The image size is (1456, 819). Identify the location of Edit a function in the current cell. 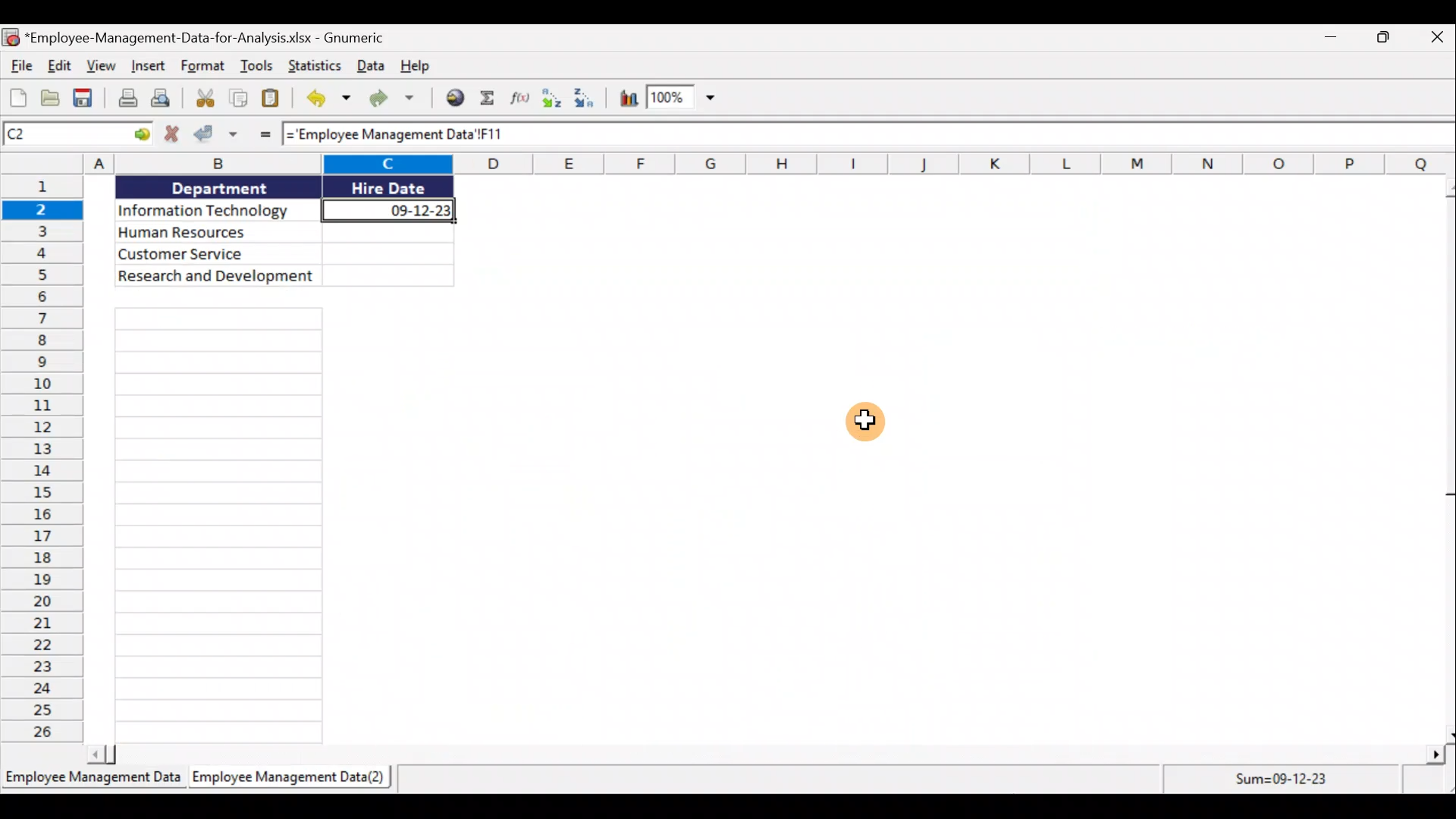
(525, 99).